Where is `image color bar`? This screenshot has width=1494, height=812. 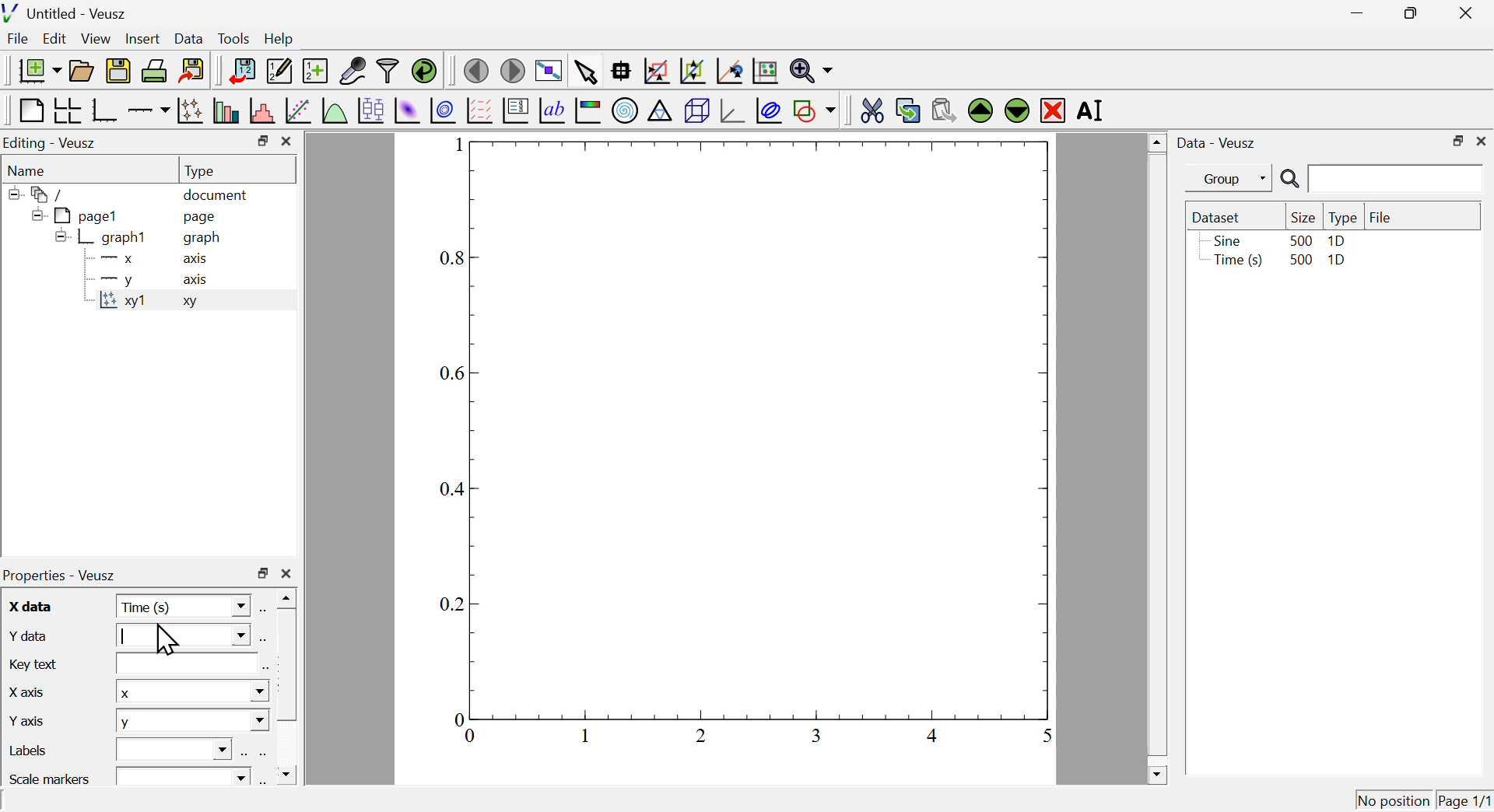 image color bar is located at coordinates (589, 112).